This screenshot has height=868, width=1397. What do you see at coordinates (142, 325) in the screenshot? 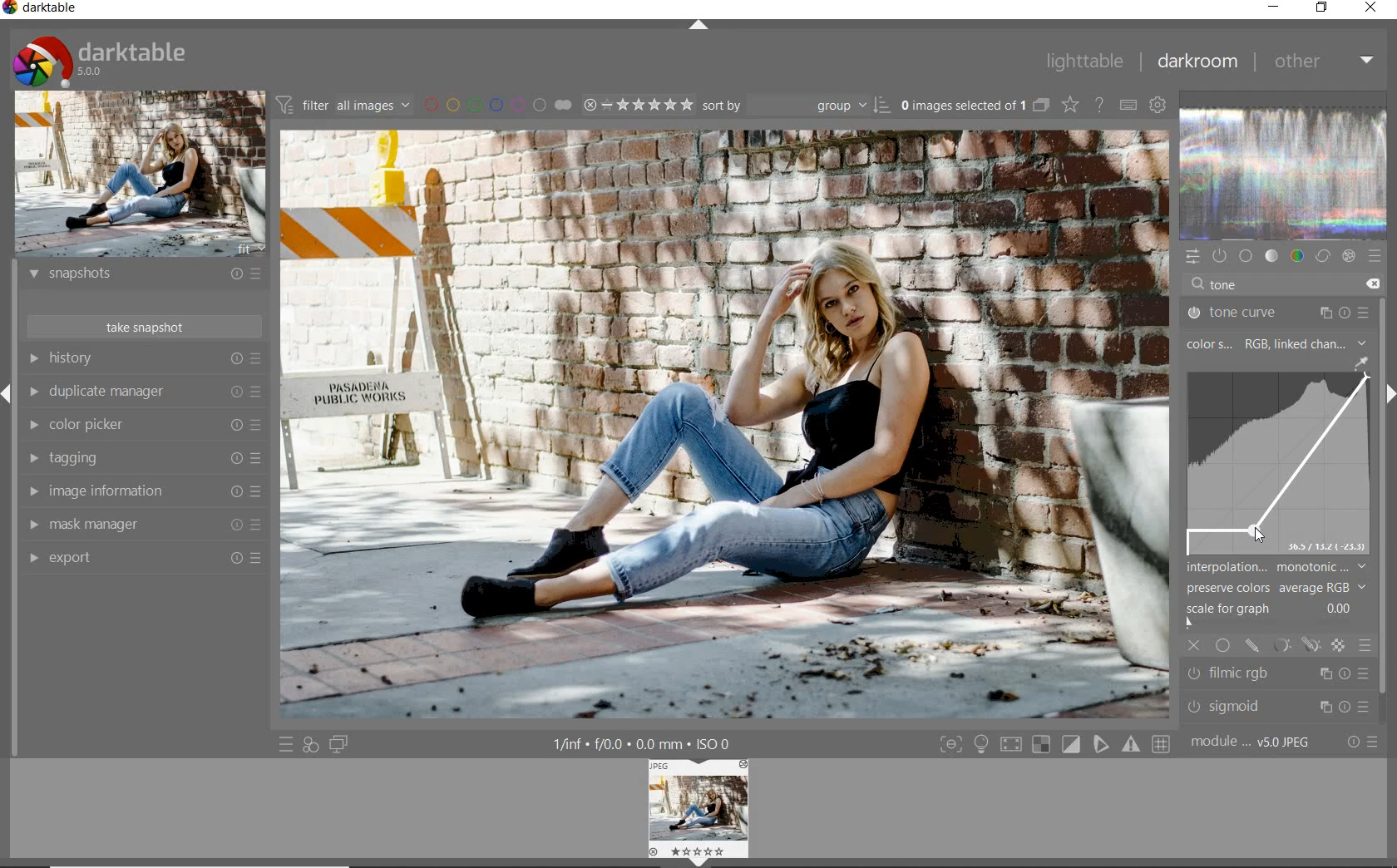
I see `take snapshot` at bounding box center [142, 325].